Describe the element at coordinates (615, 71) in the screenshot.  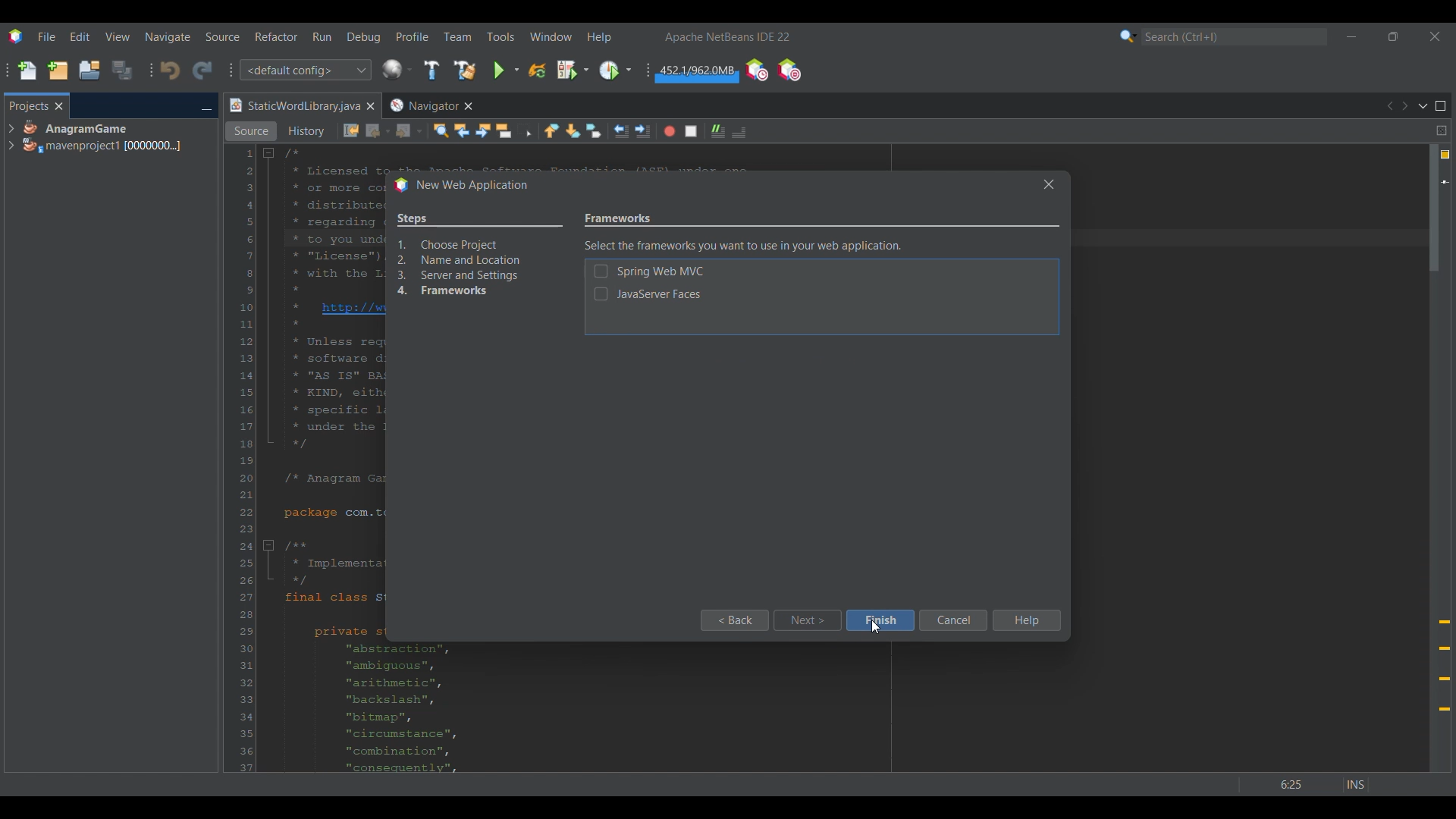
I see `Profile main project options` at that location.